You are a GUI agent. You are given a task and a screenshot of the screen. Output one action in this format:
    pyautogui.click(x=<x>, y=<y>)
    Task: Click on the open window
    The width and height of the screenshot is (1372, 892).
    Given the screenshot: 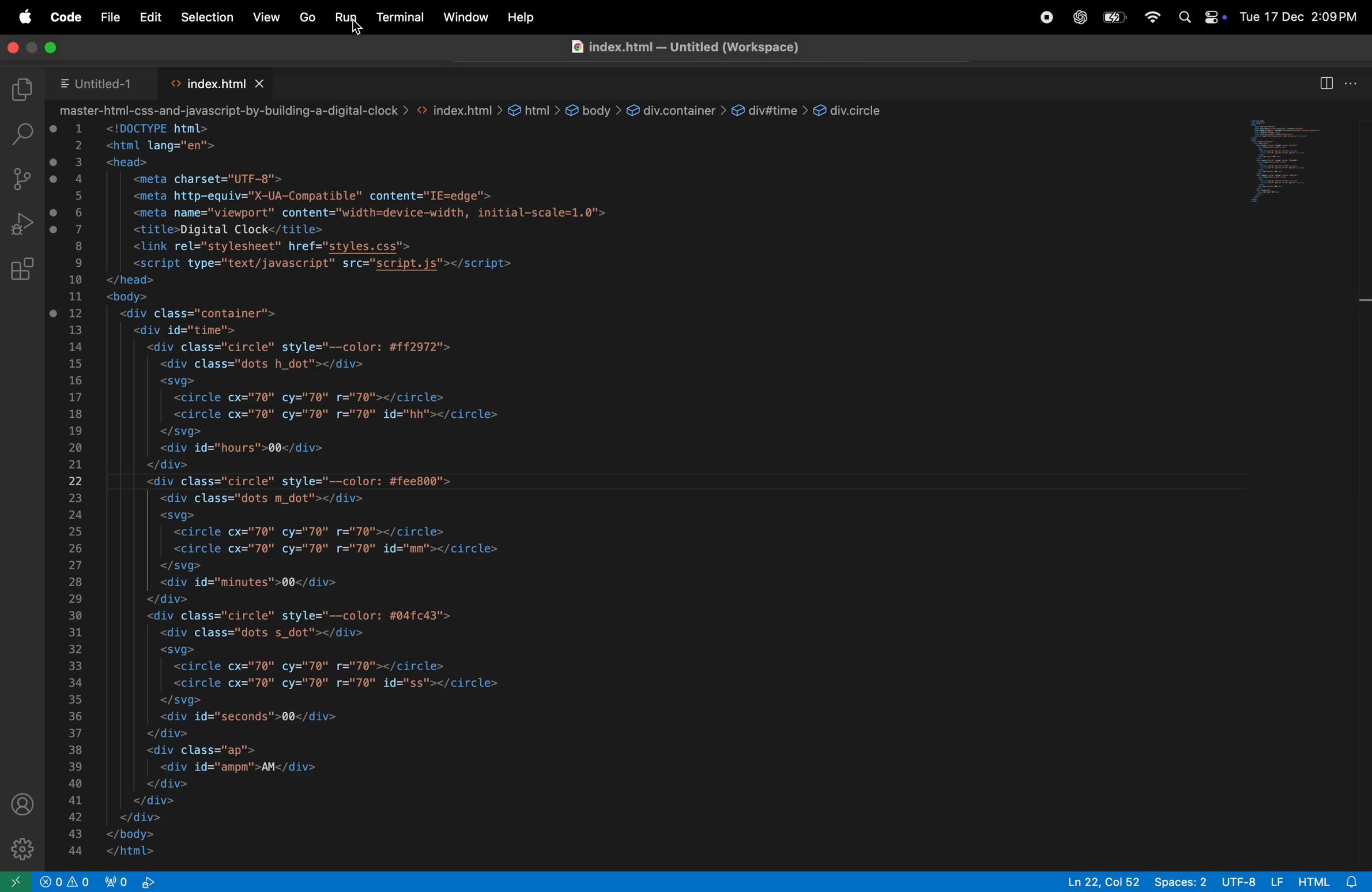 What is the action you would take?
    pyautogui.click(x=1283, y=164)
    